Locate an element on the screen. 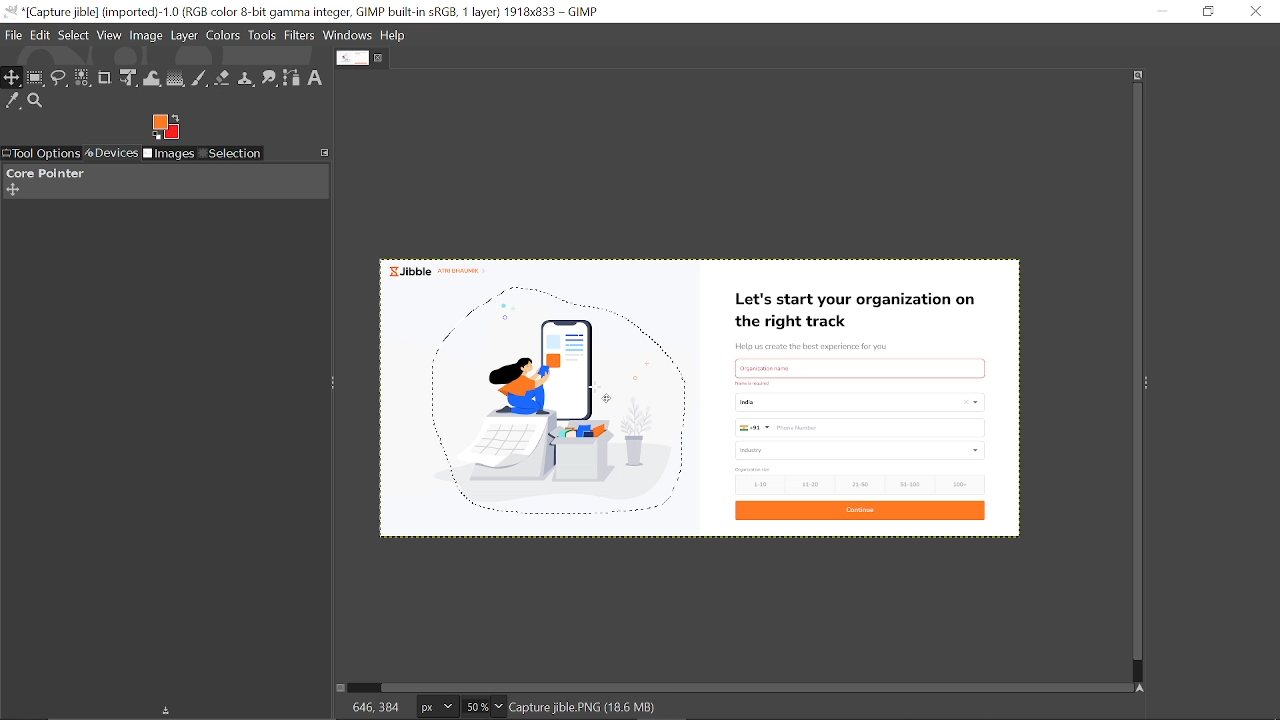 The height and width of the screenshot is (720, 1280). country is located at coordinates (862, 402).